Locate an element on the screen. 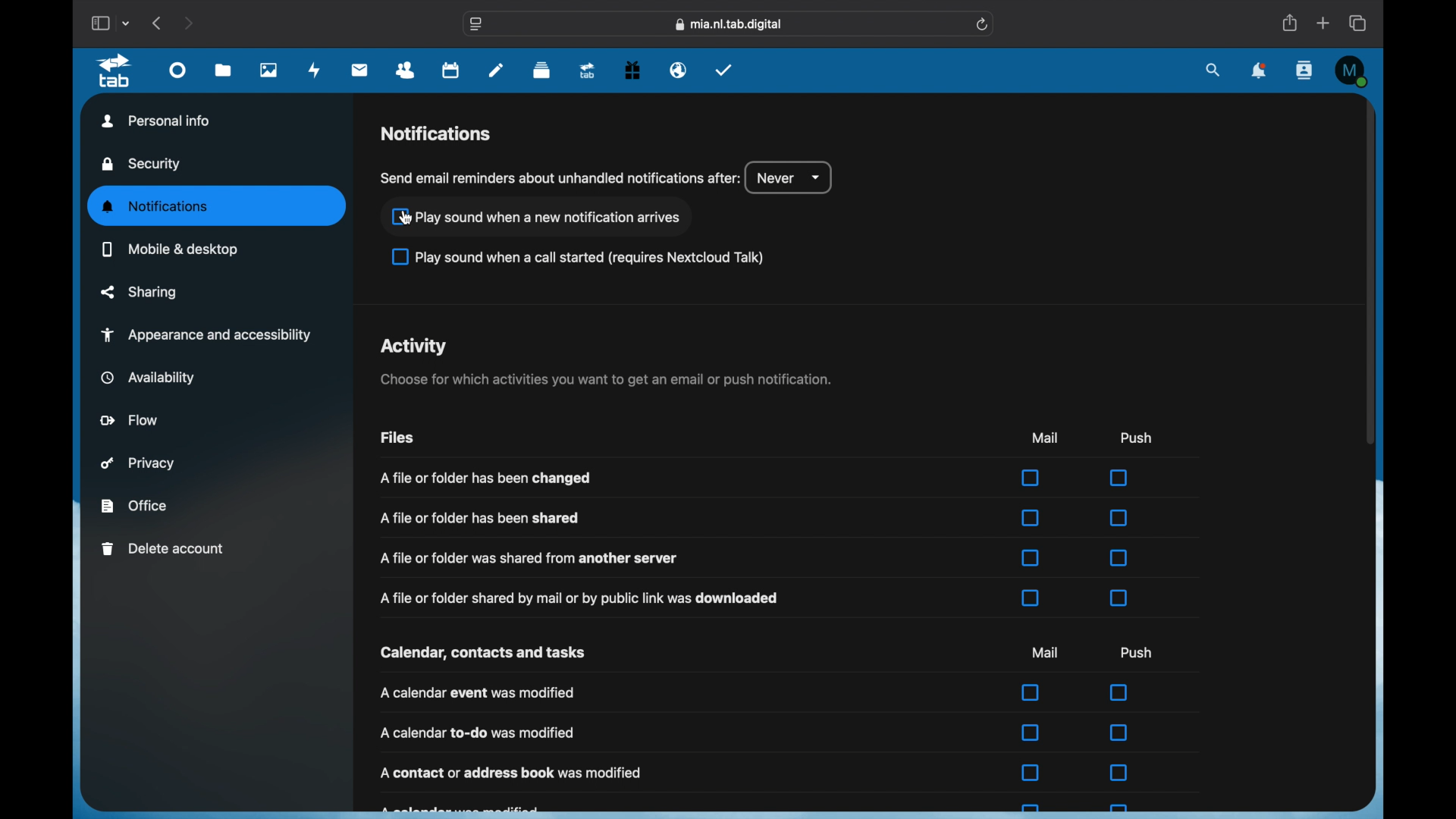 This screenshot has height=819, width=1456. check box is located at coordinates (537, 216).